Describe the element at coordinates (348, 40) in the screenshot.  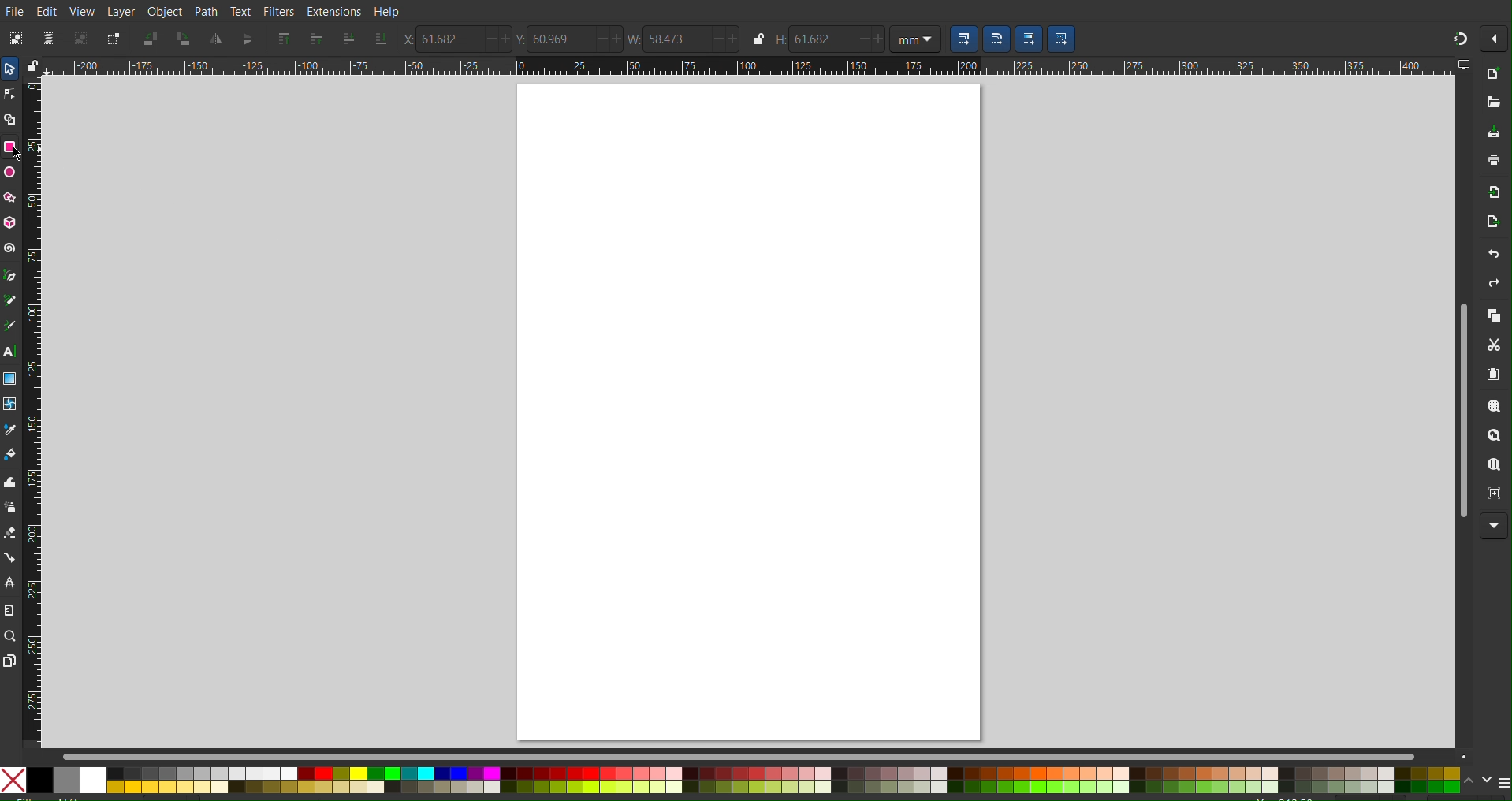
I see `Send one layer below` at that location.